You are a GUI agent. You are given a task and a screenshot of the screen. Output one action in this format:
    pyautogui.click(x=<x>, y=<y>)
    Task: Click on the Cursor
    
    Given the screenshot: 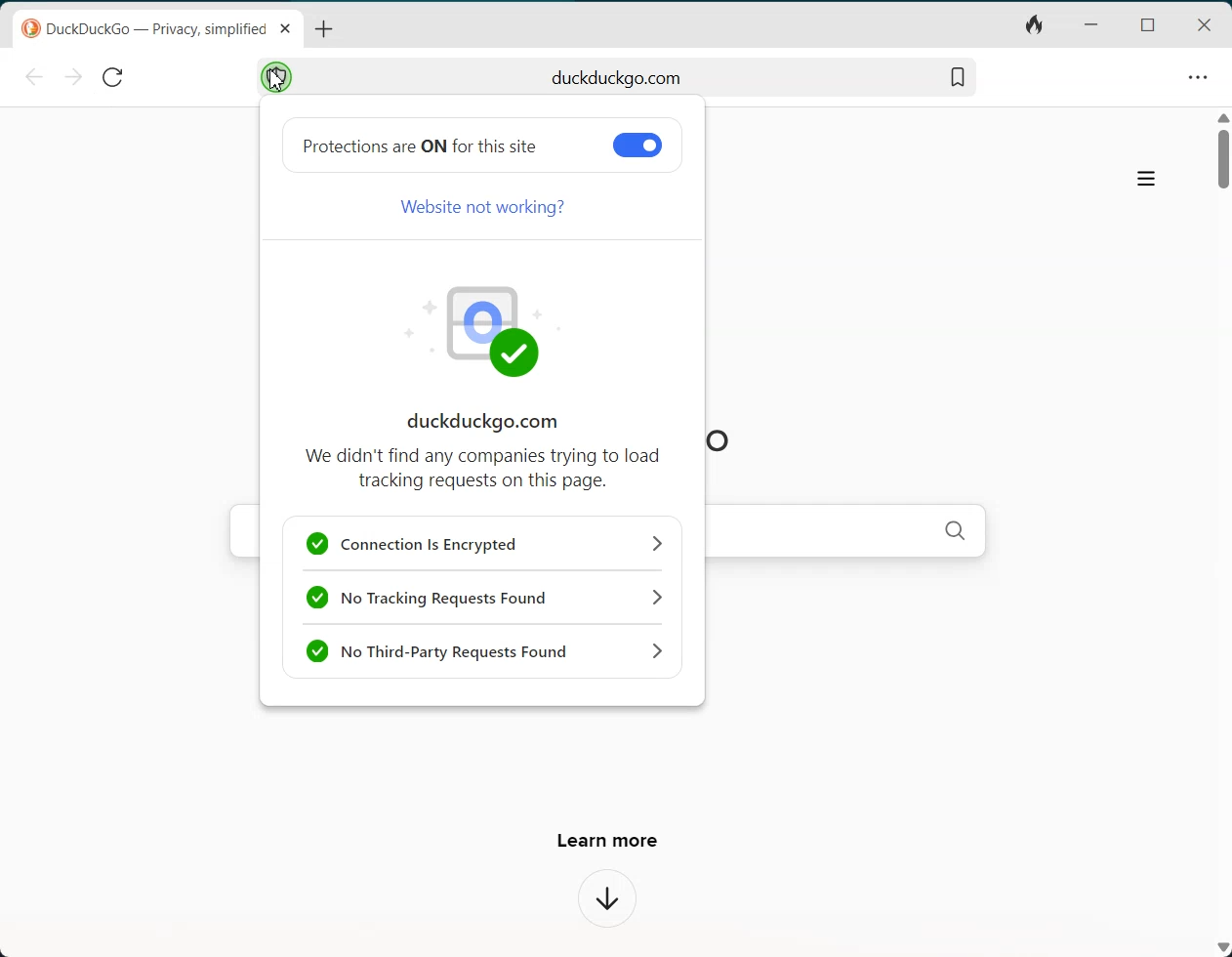 What is the action you would take?
    pyautogui.click(x=272, y=76)
    